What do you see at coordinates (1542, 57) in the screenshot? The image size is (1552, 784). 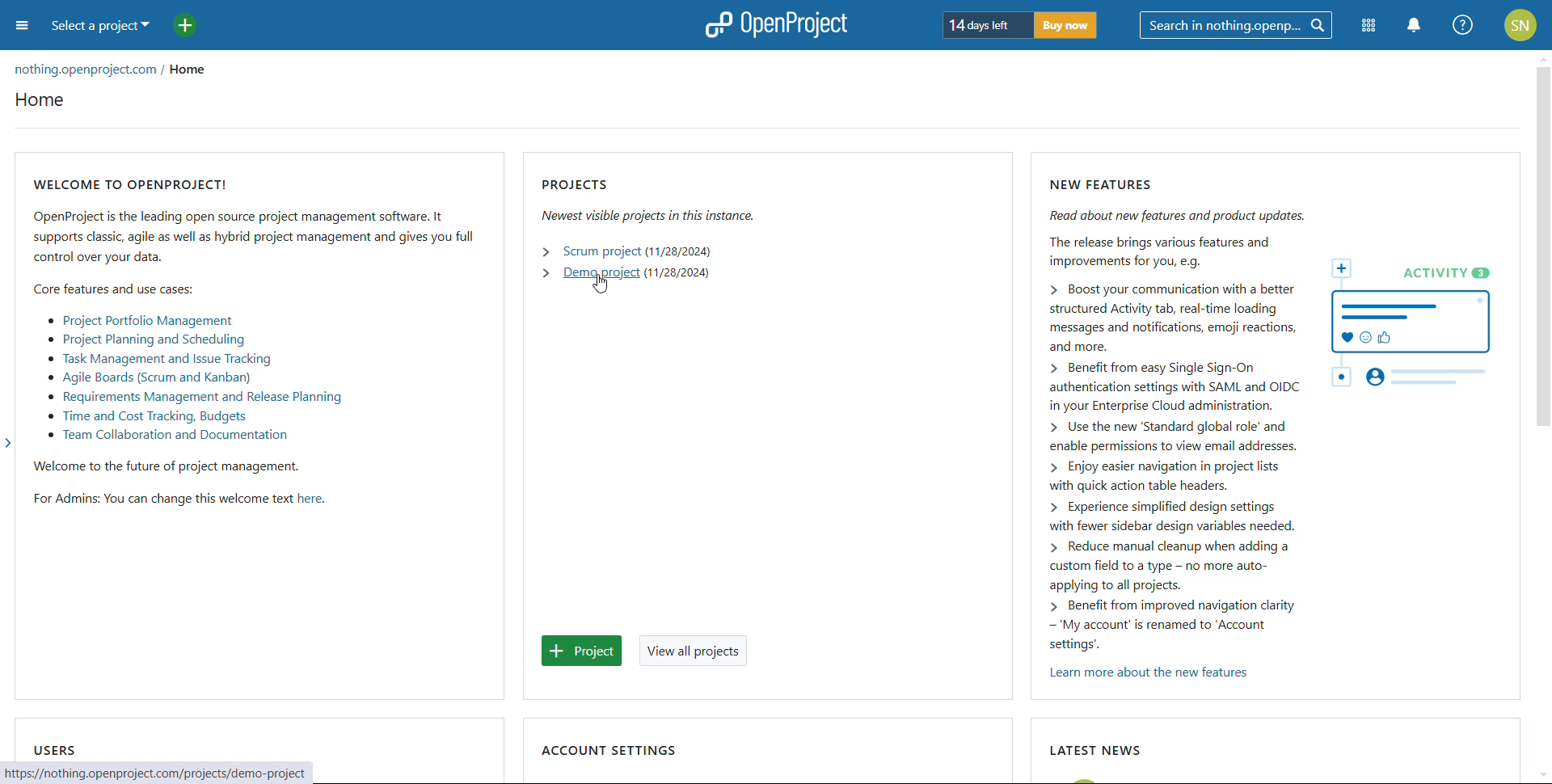 I see `scroll up` at bounding box center [1542, 57].